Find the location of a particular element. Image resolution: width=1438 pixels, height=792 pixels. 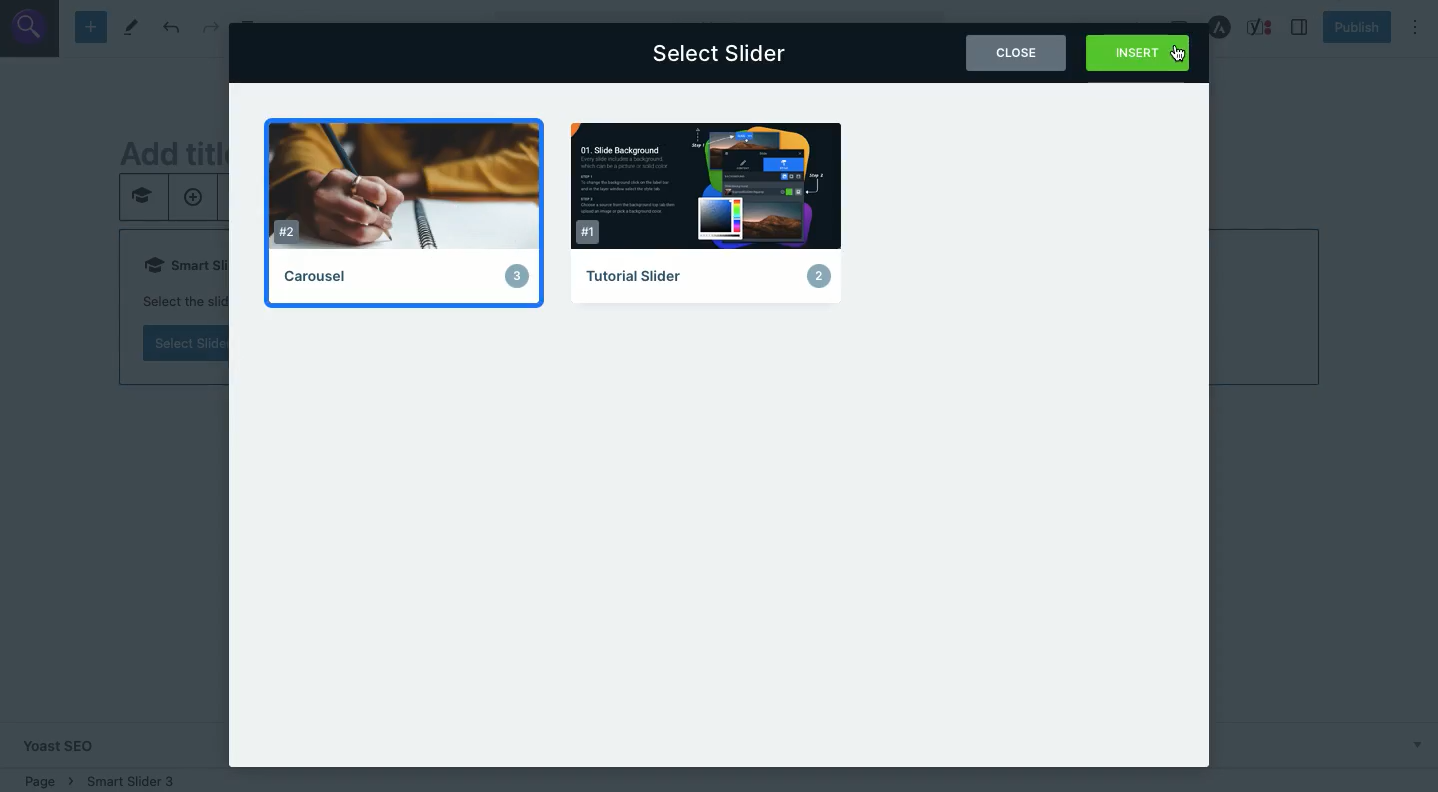

Carousel is located at coordinates (412, 215).